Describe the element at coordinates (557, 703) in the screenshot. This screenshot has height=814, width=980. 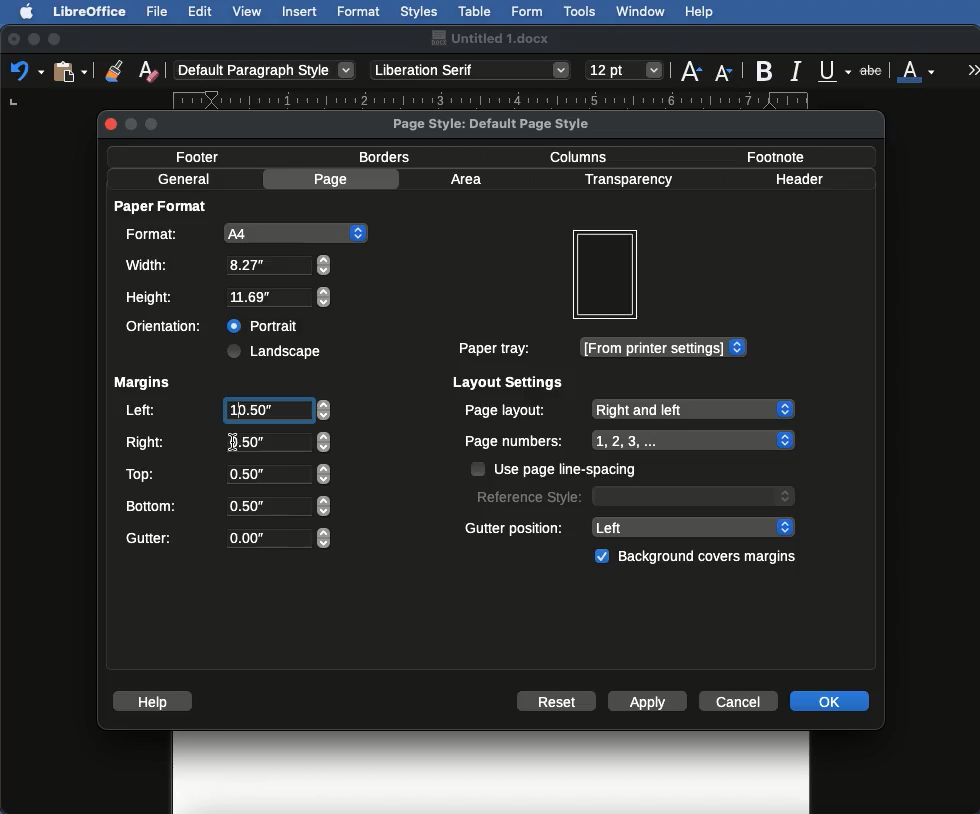
I see `Reset` at that location.